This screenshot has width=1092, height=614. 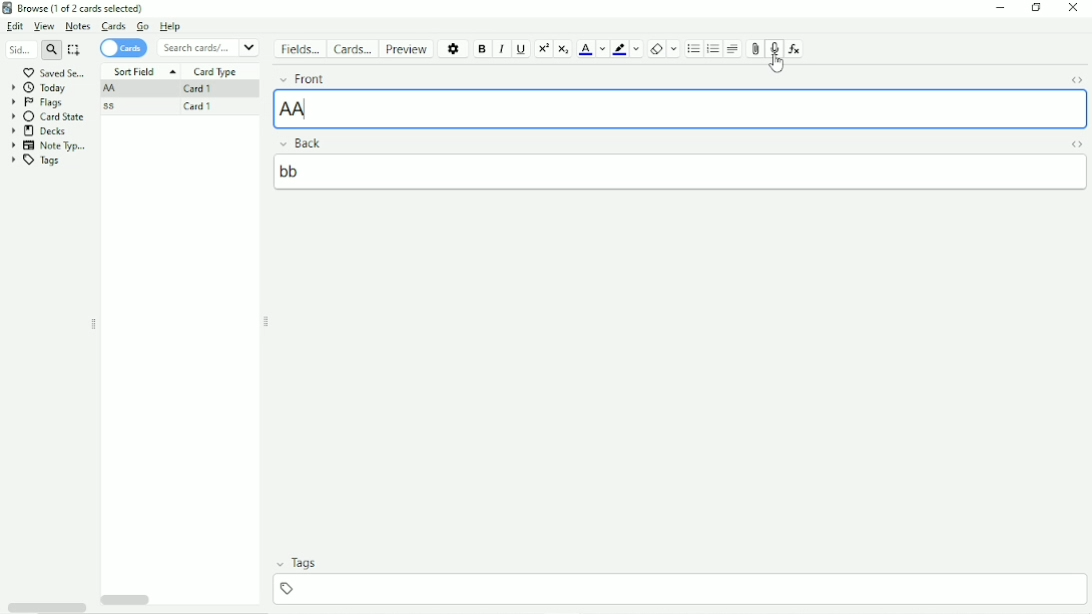 I want to click on Text color, so click(x=586, y=49).